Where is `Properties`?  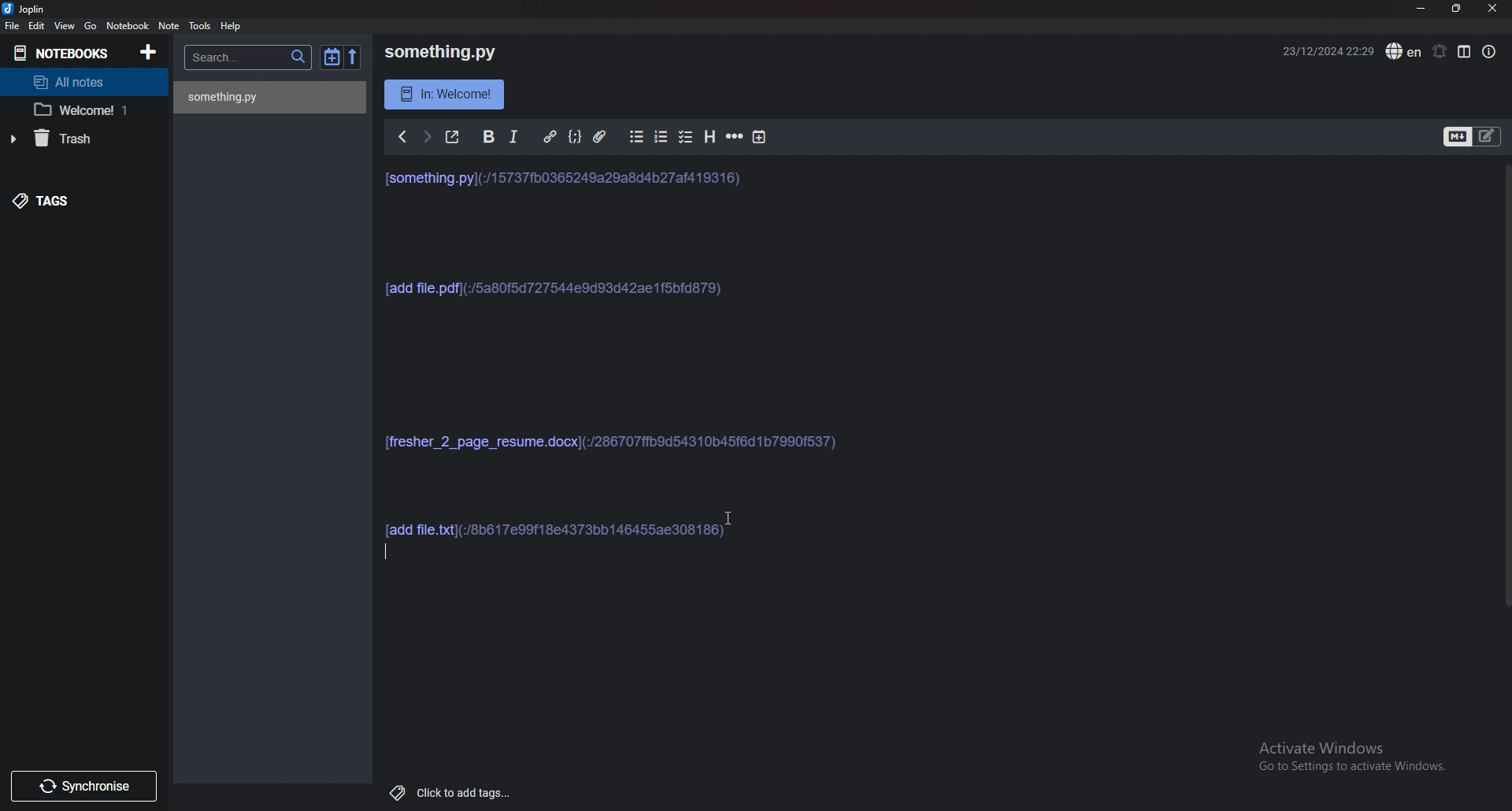
Properties is located at coordinates (1492, 50).